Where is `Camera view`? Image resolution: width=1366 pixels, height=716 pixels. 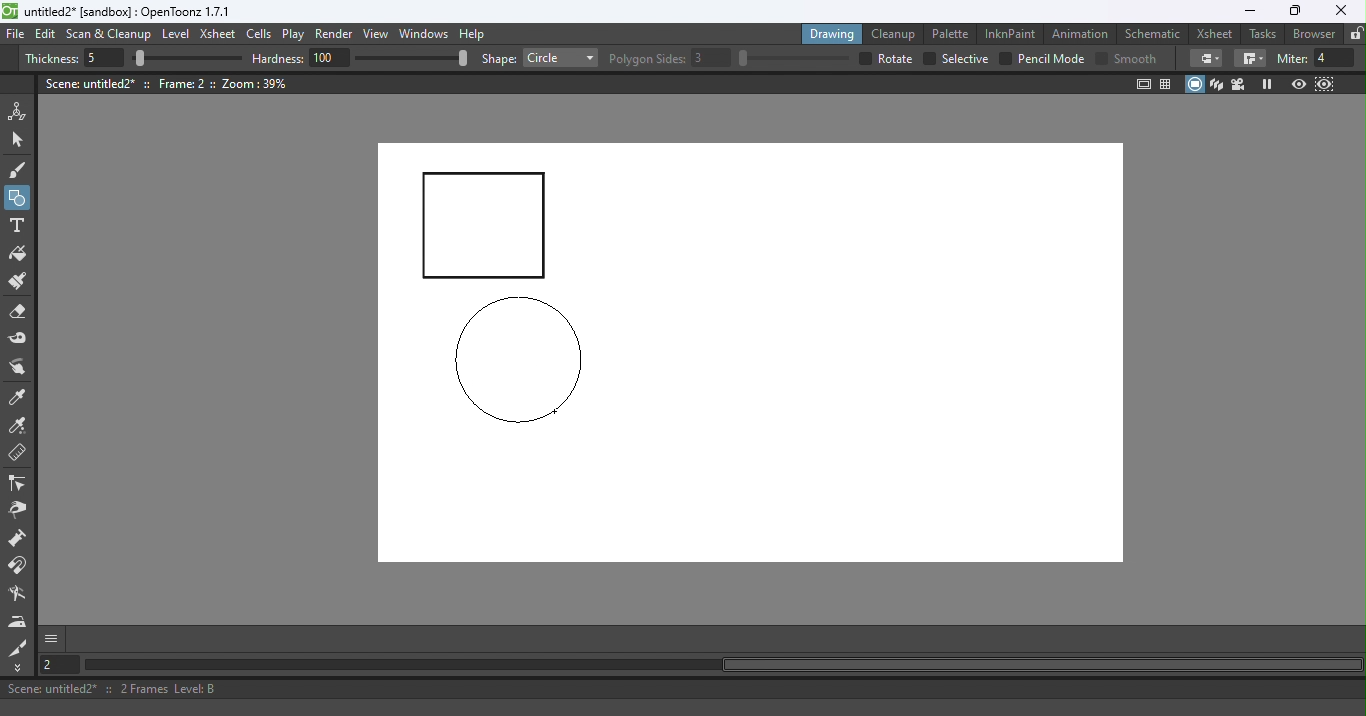
Camera view is located at coordinates (1241, 83).